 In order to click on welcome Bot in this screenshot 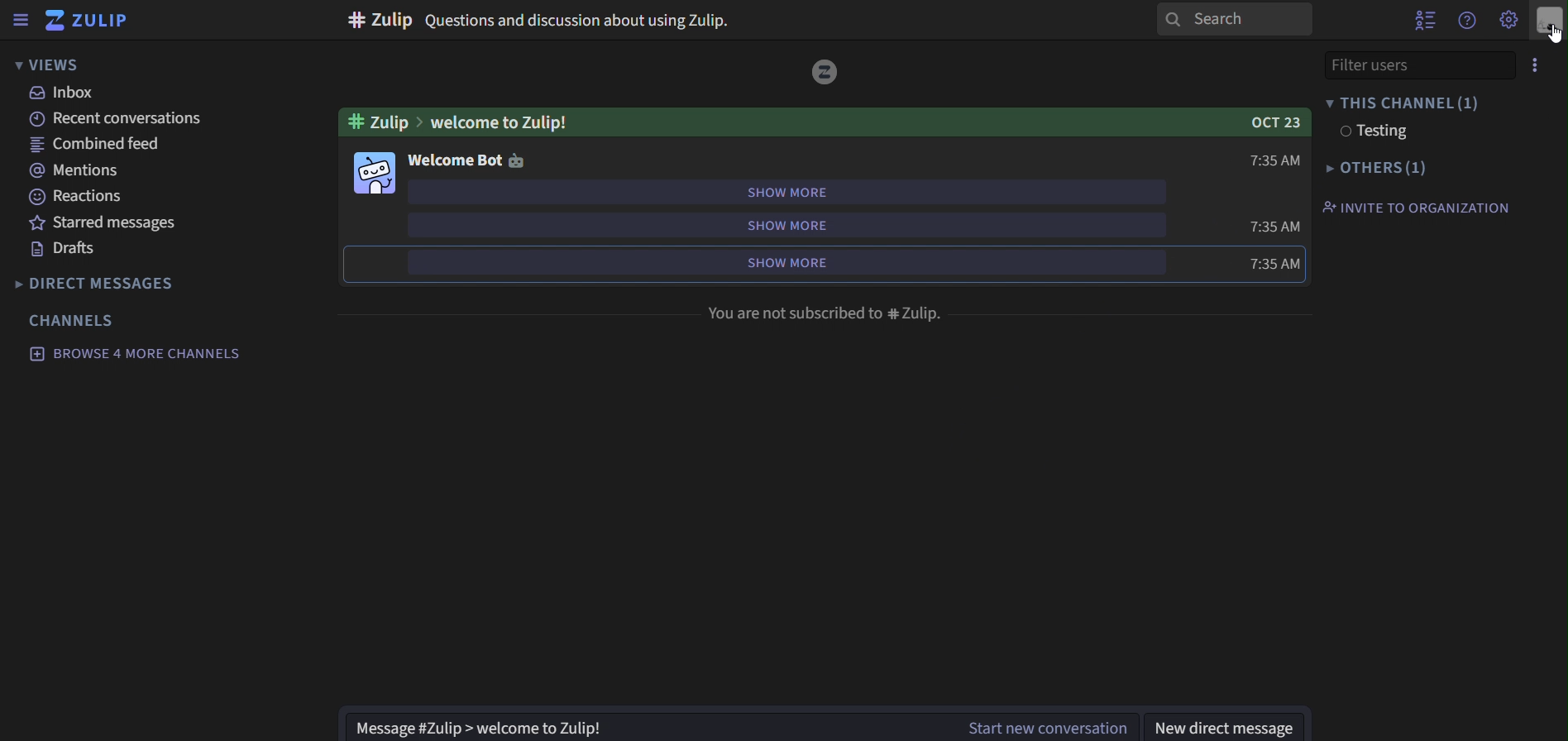, I will do `click(452, 159)`.